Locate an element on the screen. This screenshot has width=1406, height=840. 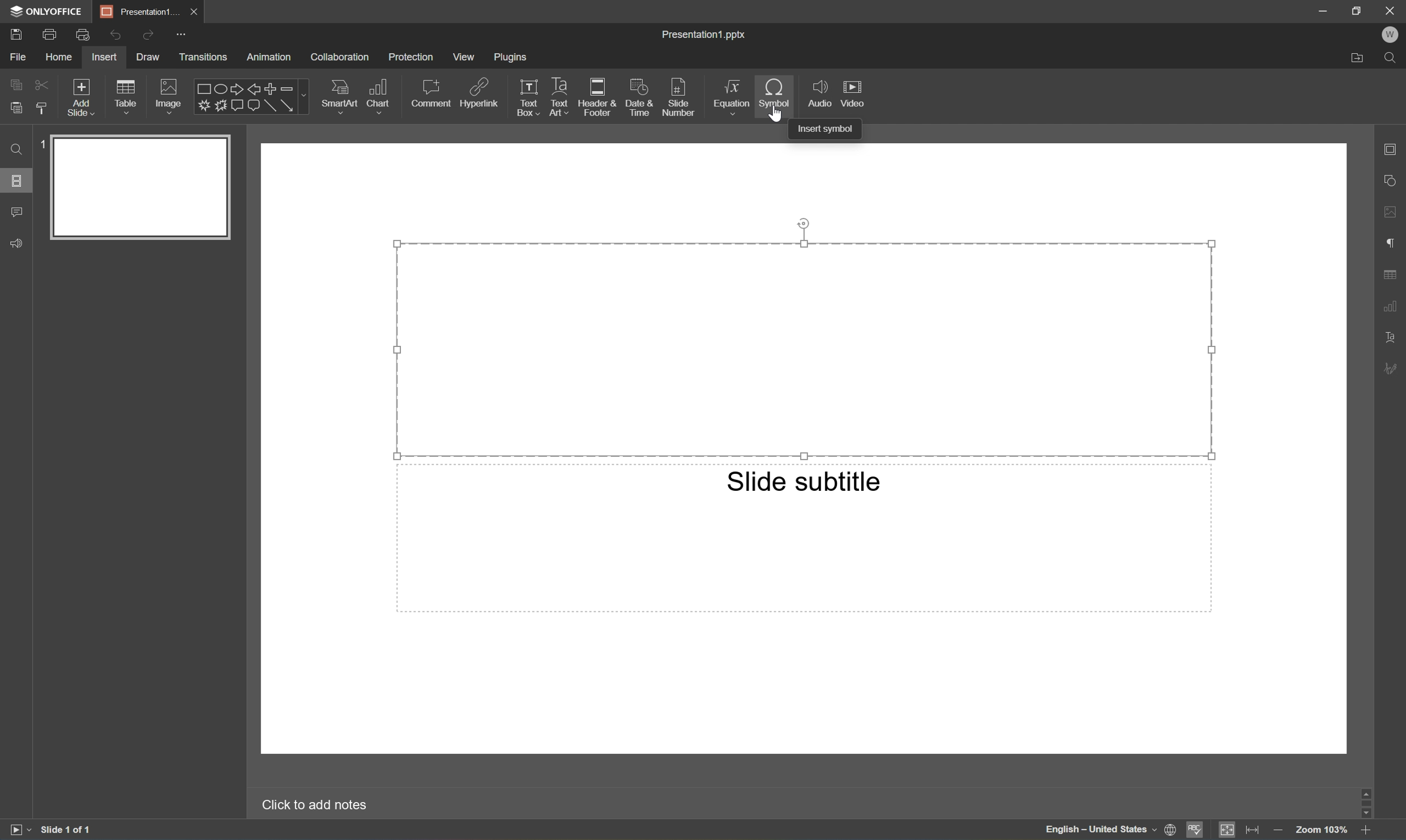
Header & Footer is located at coordinates (600, 97).